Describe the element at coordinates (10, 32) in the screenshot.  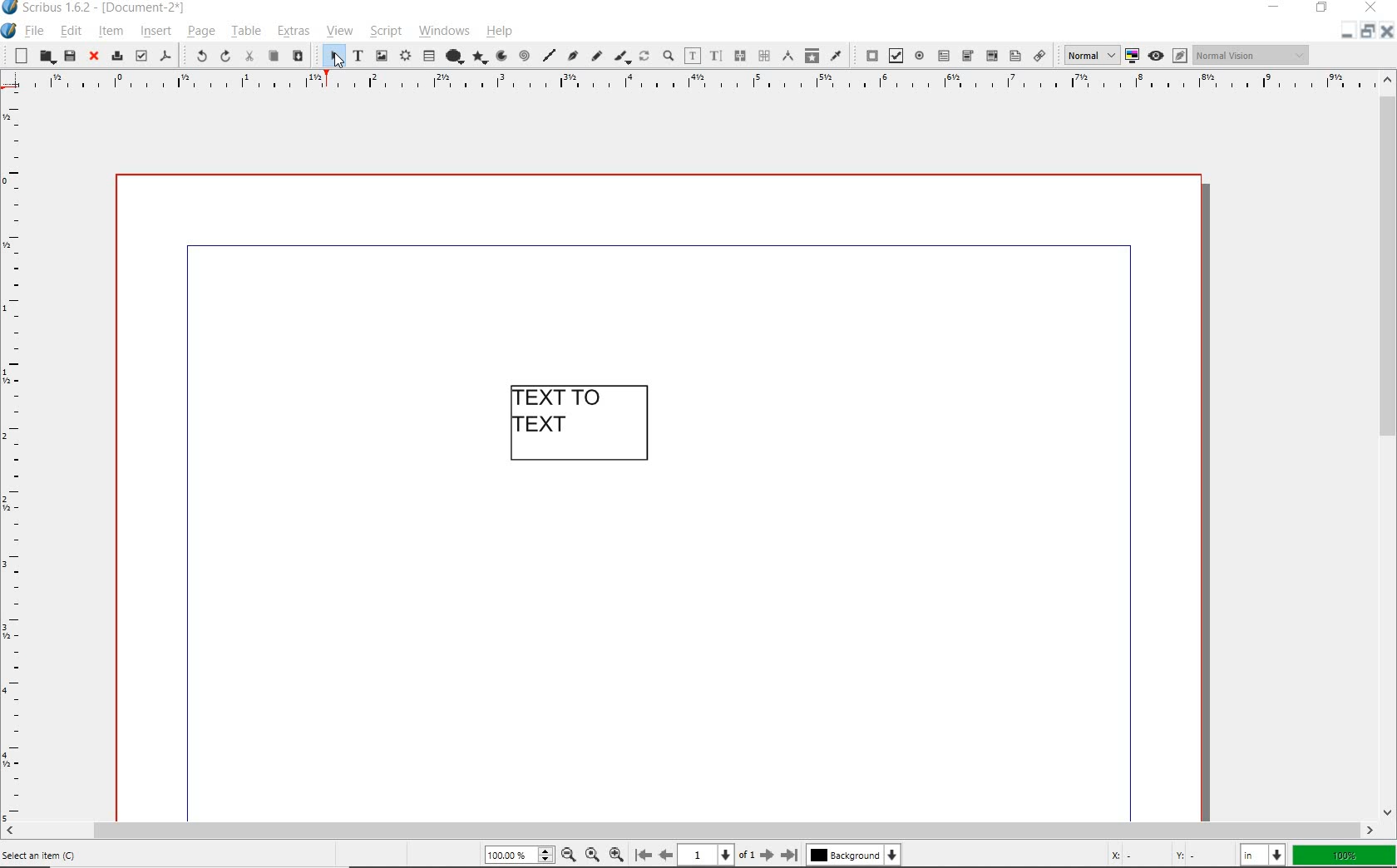
I see `system icon` at that location.